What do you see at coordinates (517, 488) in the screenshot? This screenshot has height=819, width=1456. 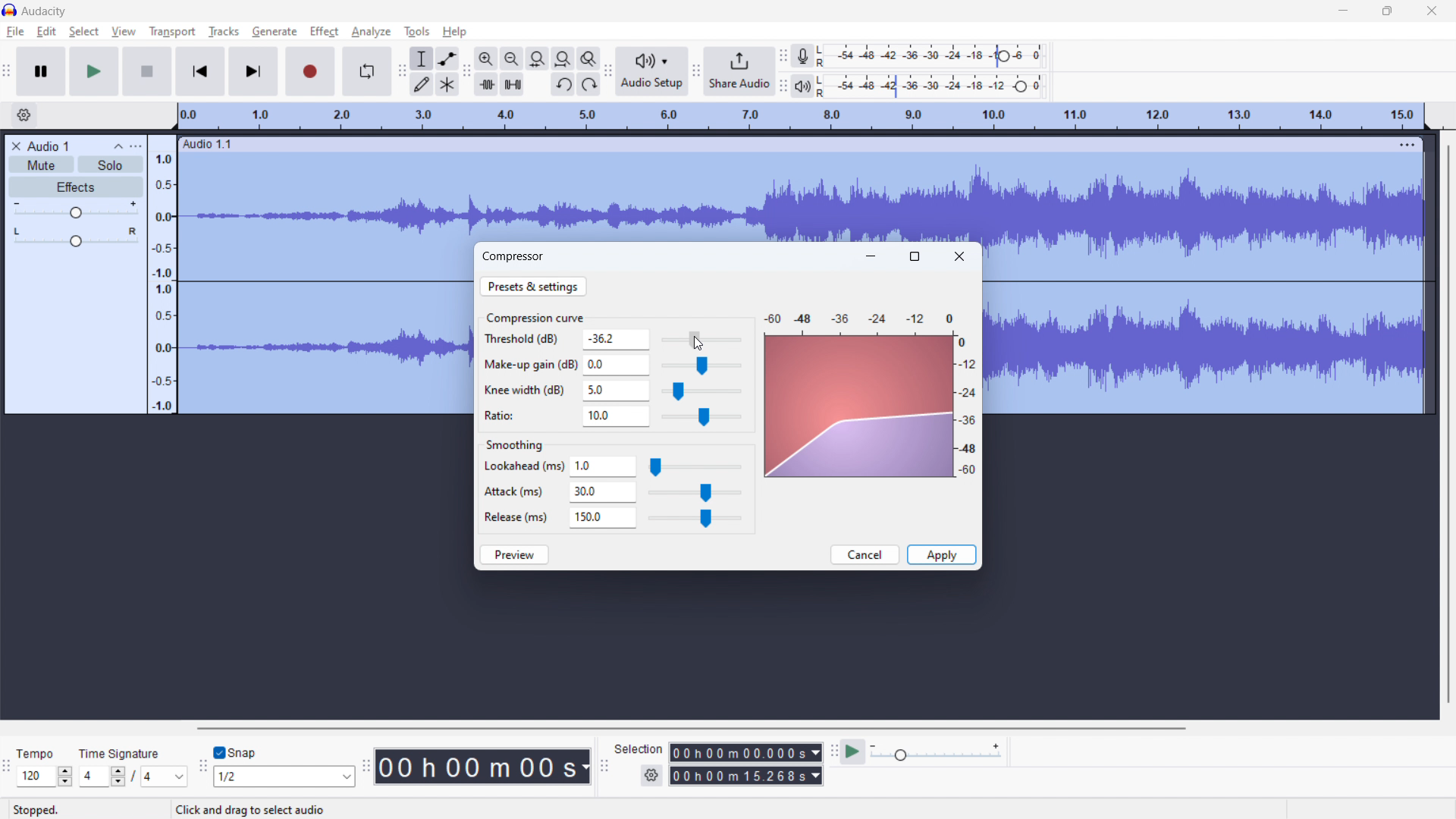 I see `Attack (ms)` at bounding box center [517, 488].